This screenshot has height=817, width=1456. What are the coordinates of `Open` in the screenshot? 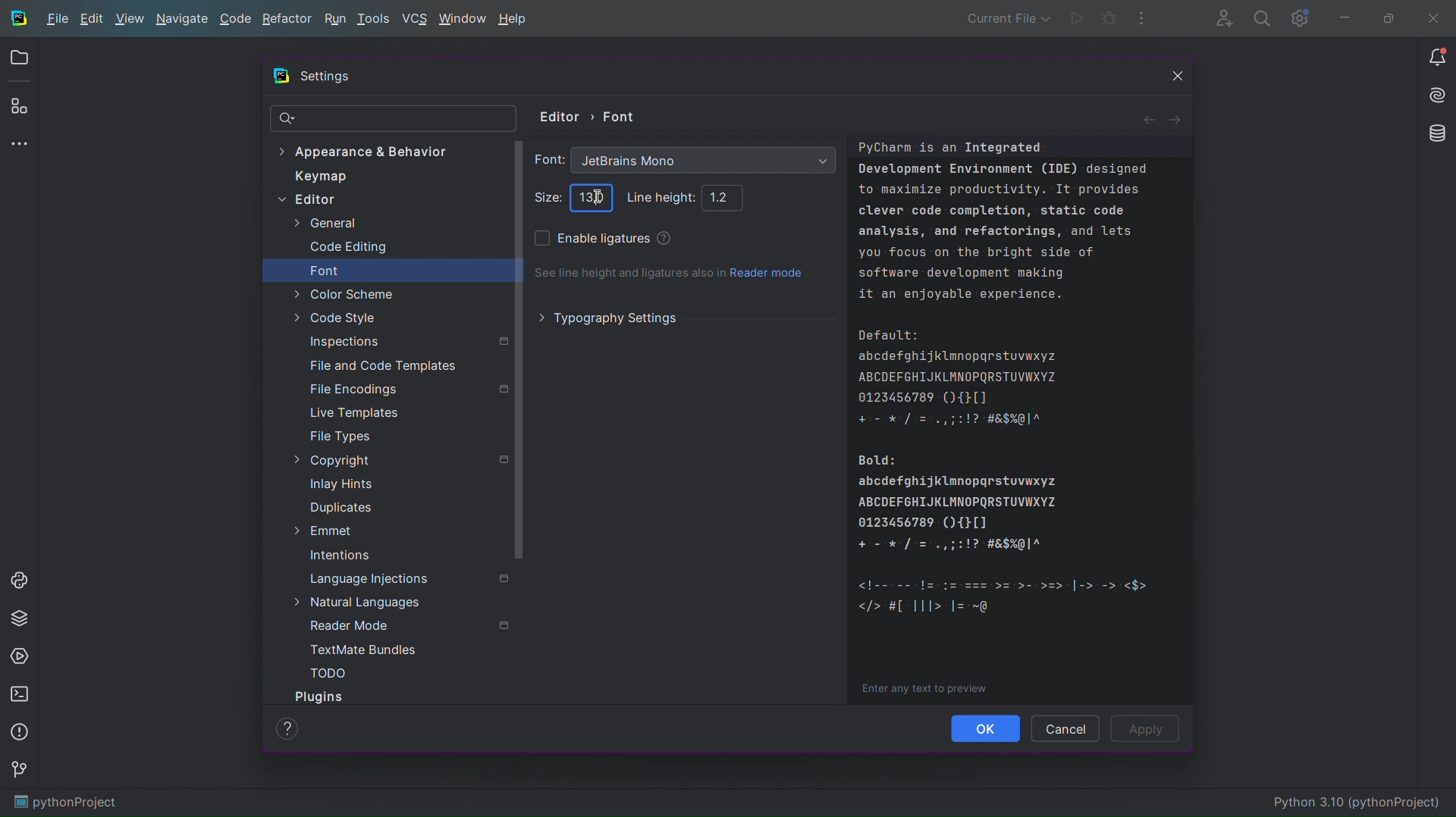 It's located at (19, 60).